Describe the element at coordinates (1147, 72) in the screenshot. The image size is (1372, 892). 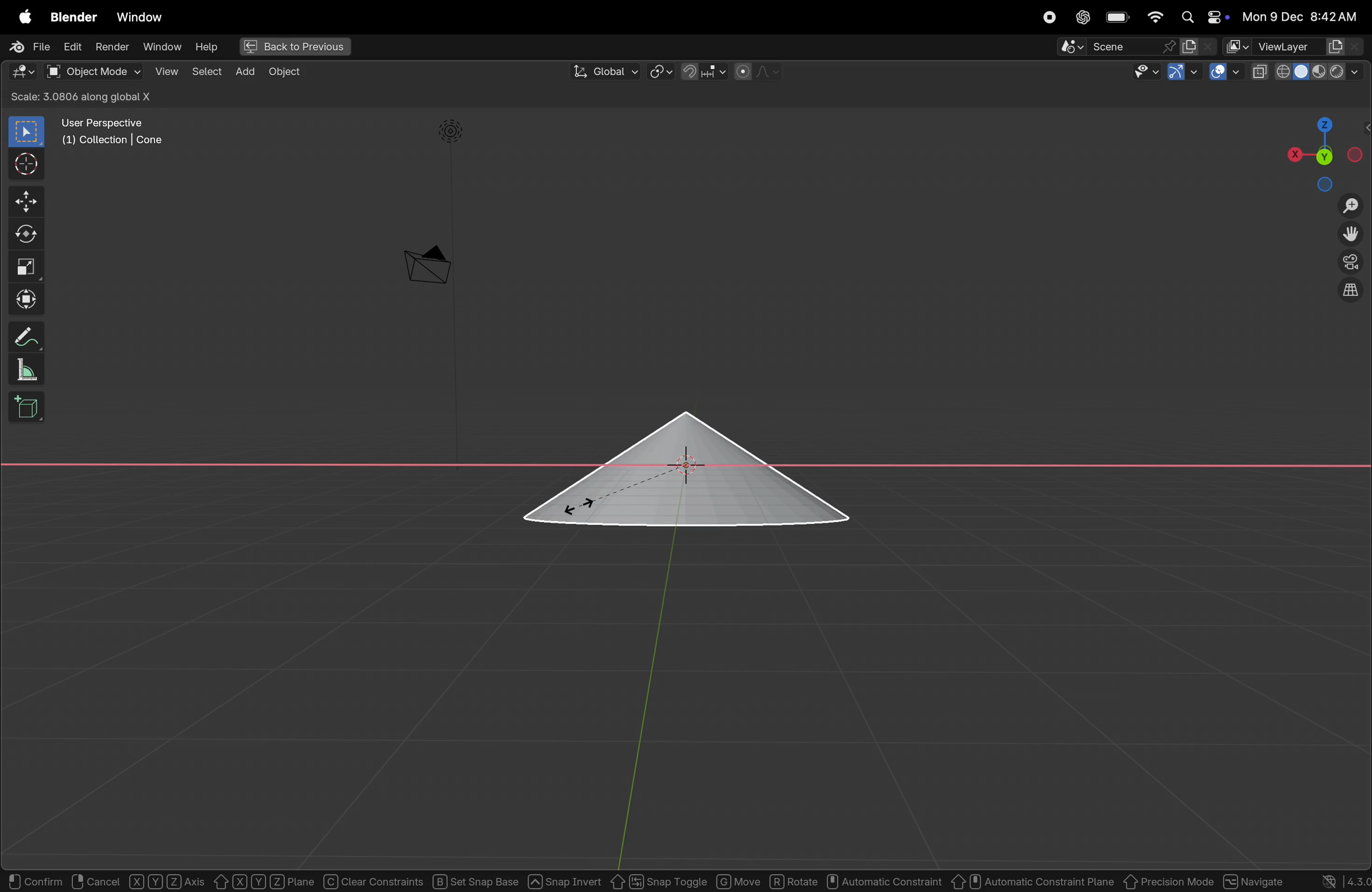
I see `show visinlilty` at that location.